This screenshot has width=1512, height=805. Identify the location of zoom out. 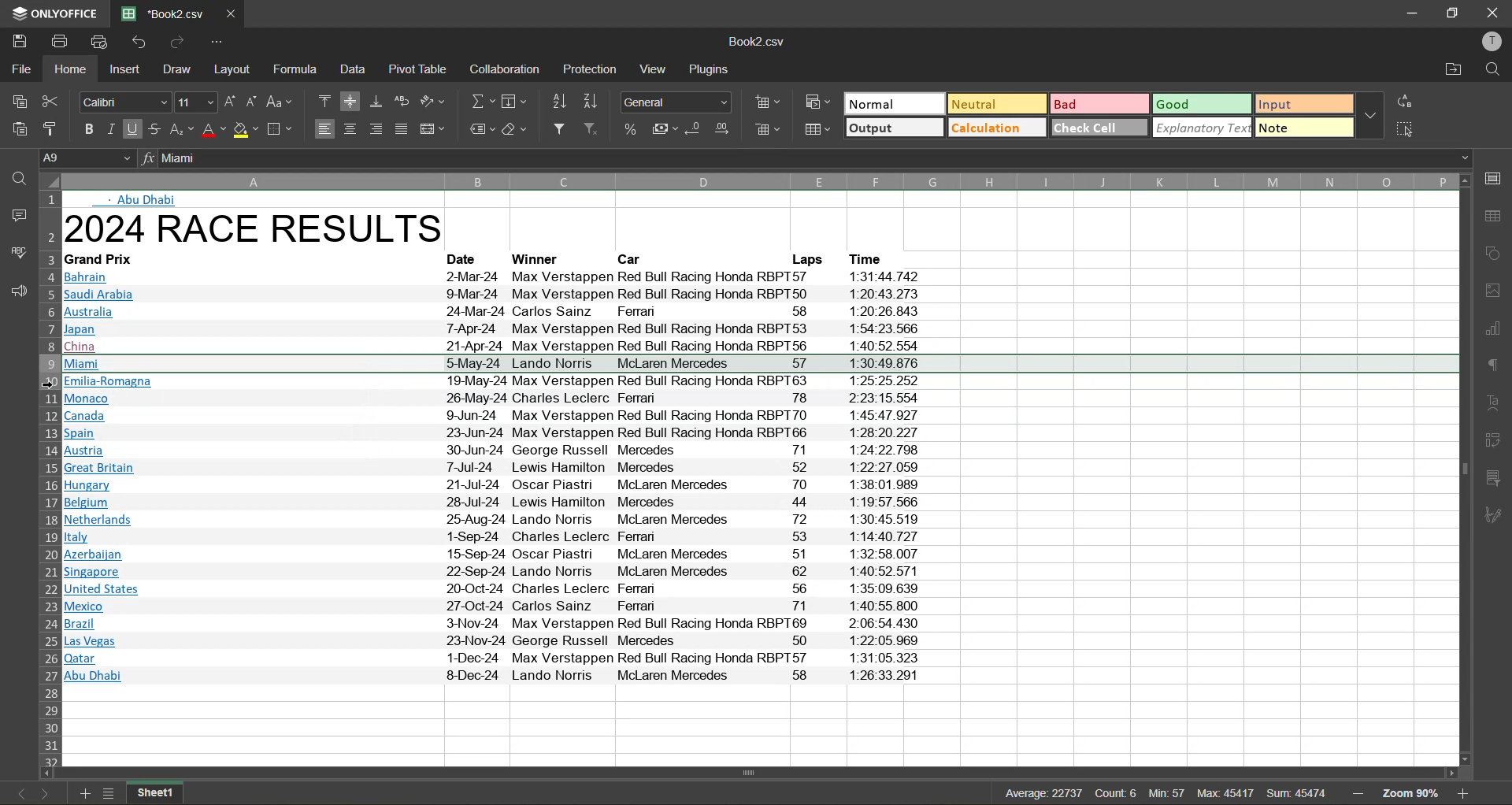
(1358, 796).